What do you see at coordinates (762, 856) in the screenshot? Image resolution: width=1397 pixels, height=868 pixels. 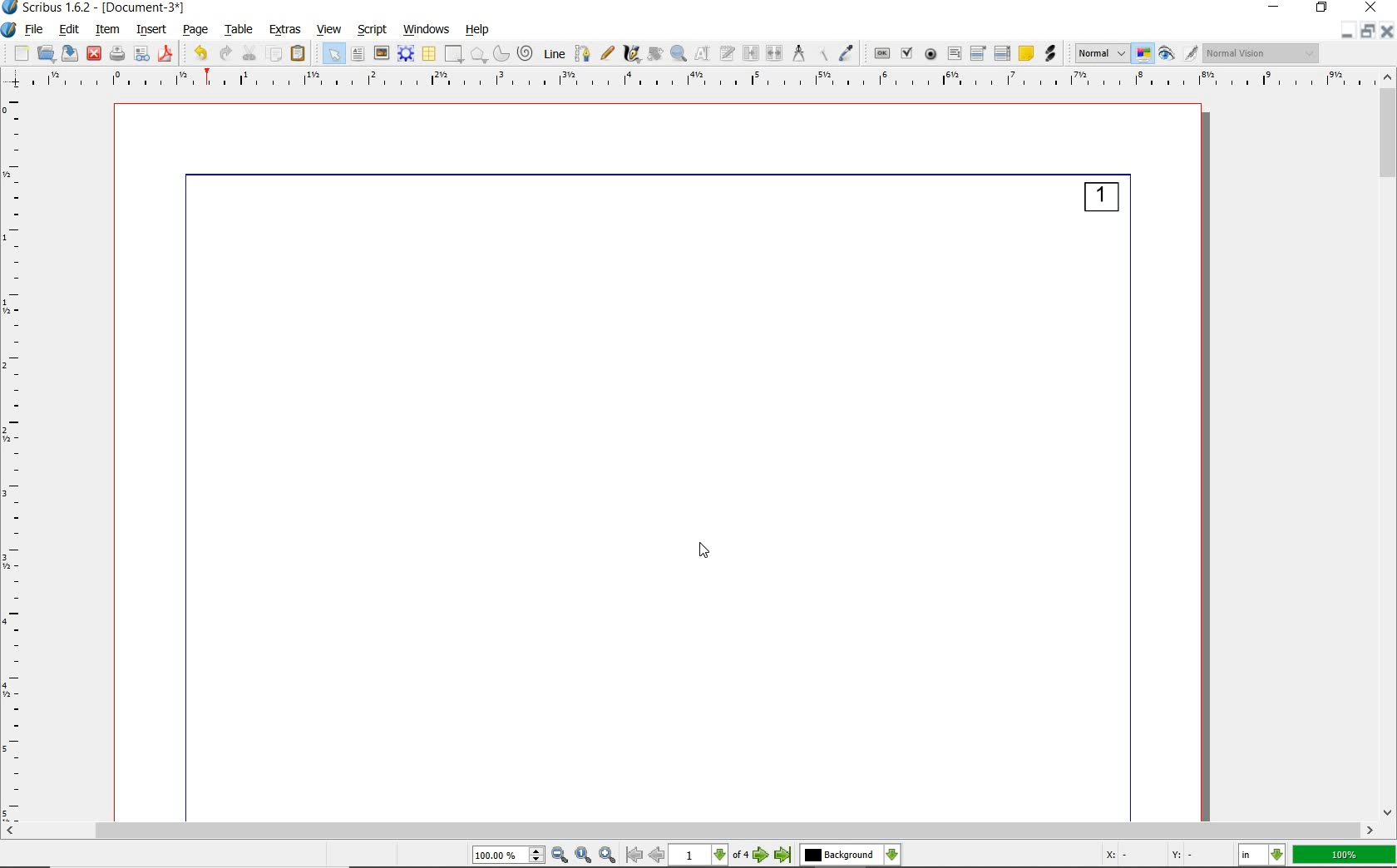 I see `Next Page` at bounding box center [762, 856].